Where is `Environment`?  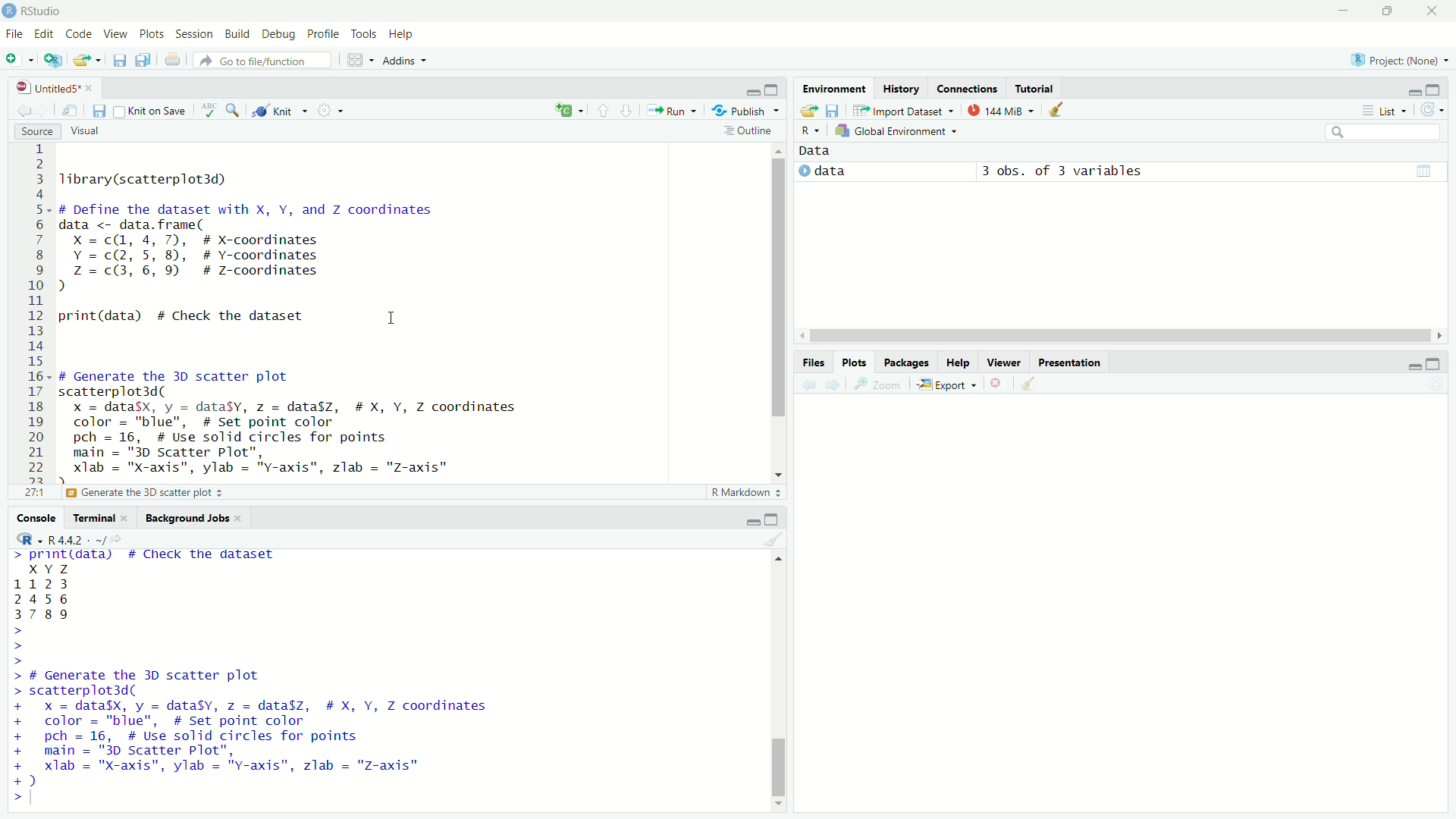 Environment is located at coordinates (830, 84).